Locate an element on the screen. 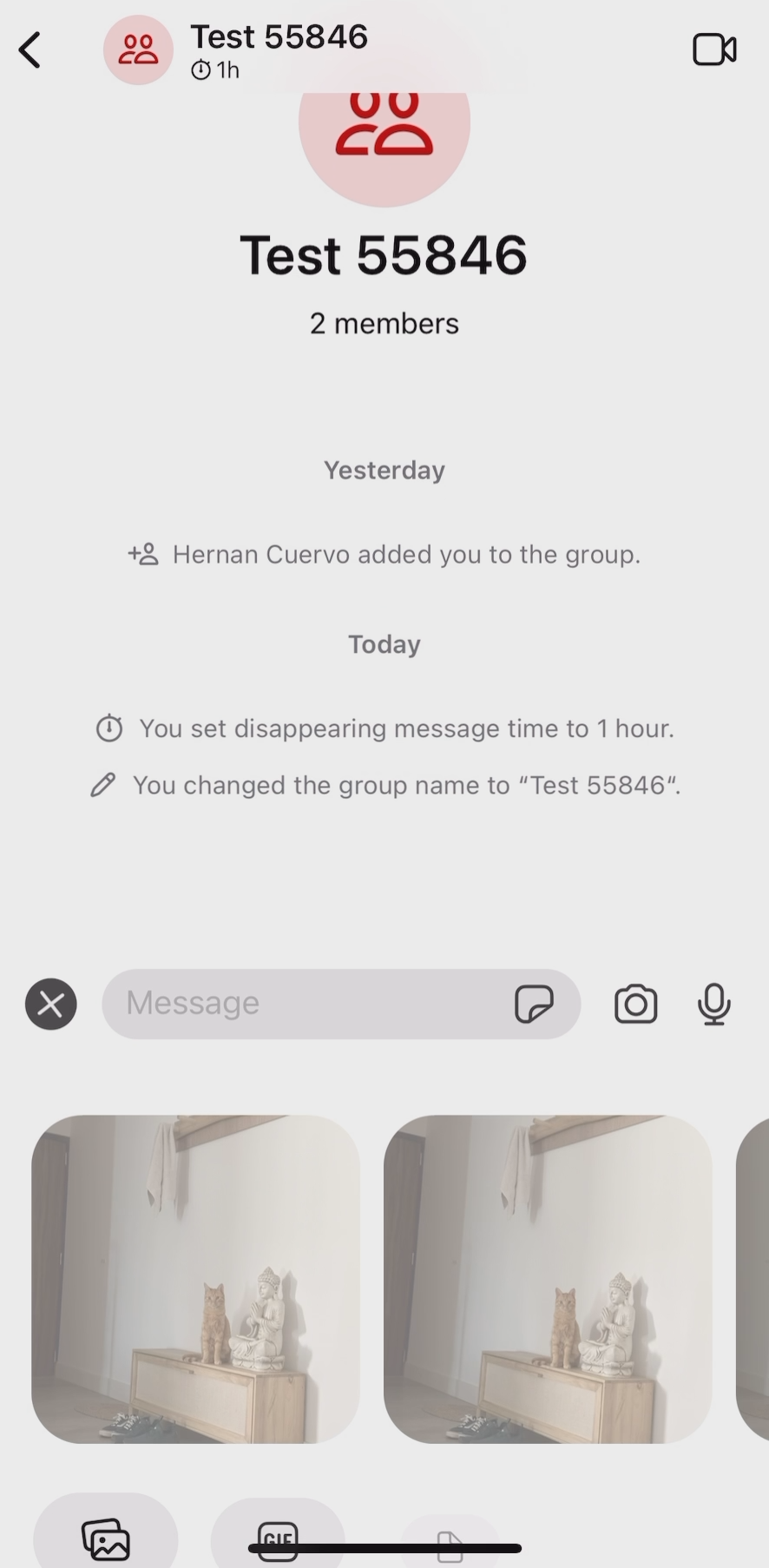 The height and width of the screenshot is (1568, 769). 2 members is located at coordinates (387, 336).